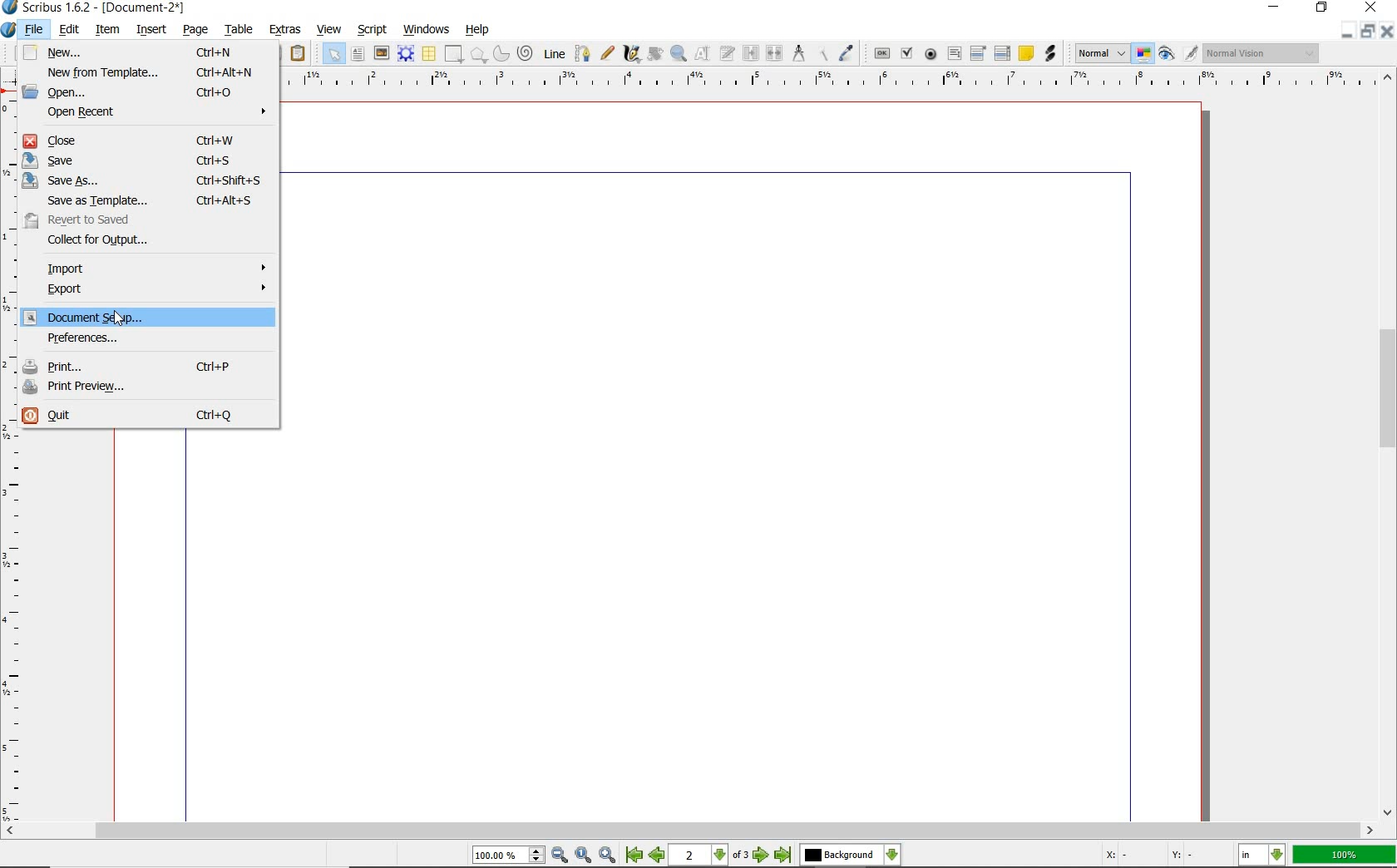 Image resolution: width=1397 pixels, height=868 pixels. I want to click on text frame, so click(358, 55).